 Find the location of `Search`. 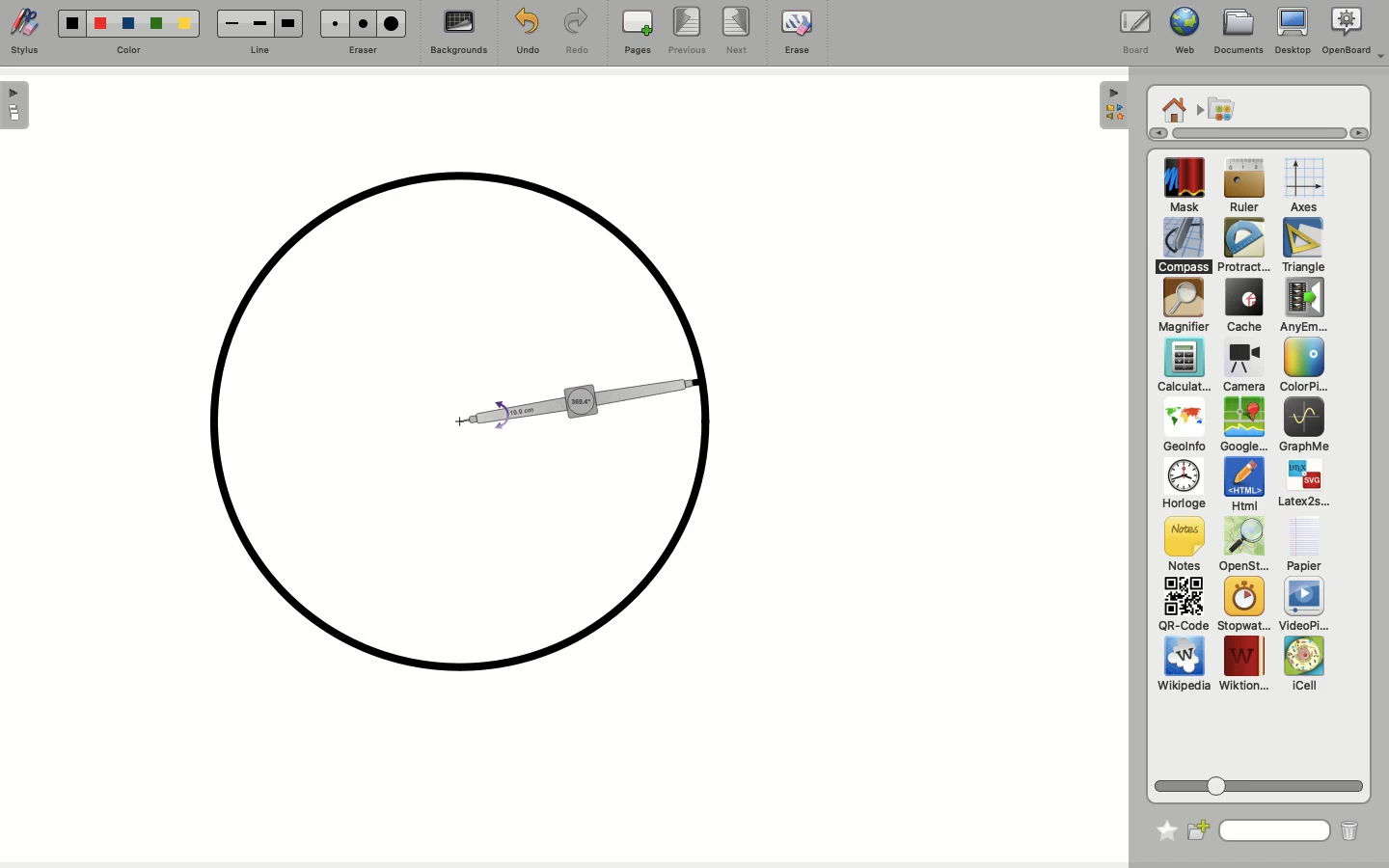

Search is located at coordinates (1275, 828).